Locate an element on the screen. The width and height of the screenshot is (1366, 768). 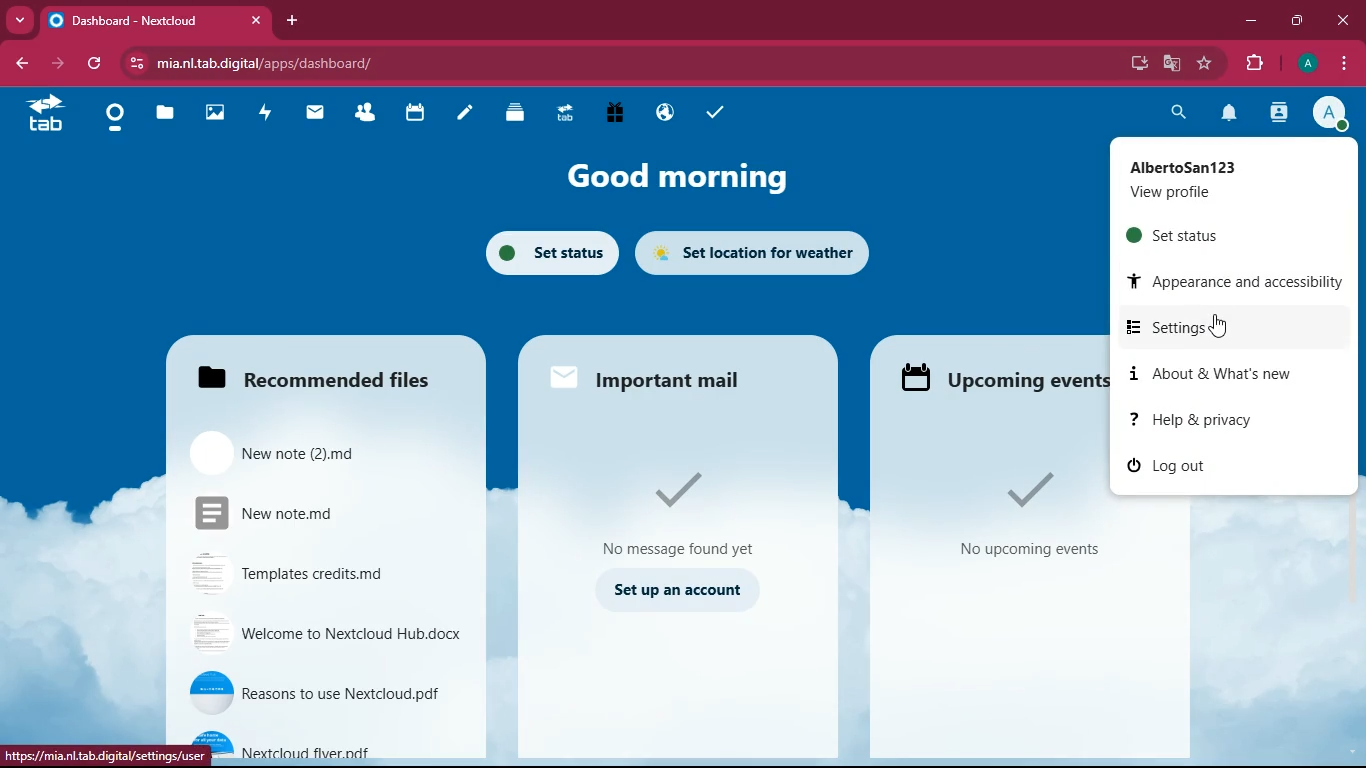
desktop is located at coordinates (1134, 65).